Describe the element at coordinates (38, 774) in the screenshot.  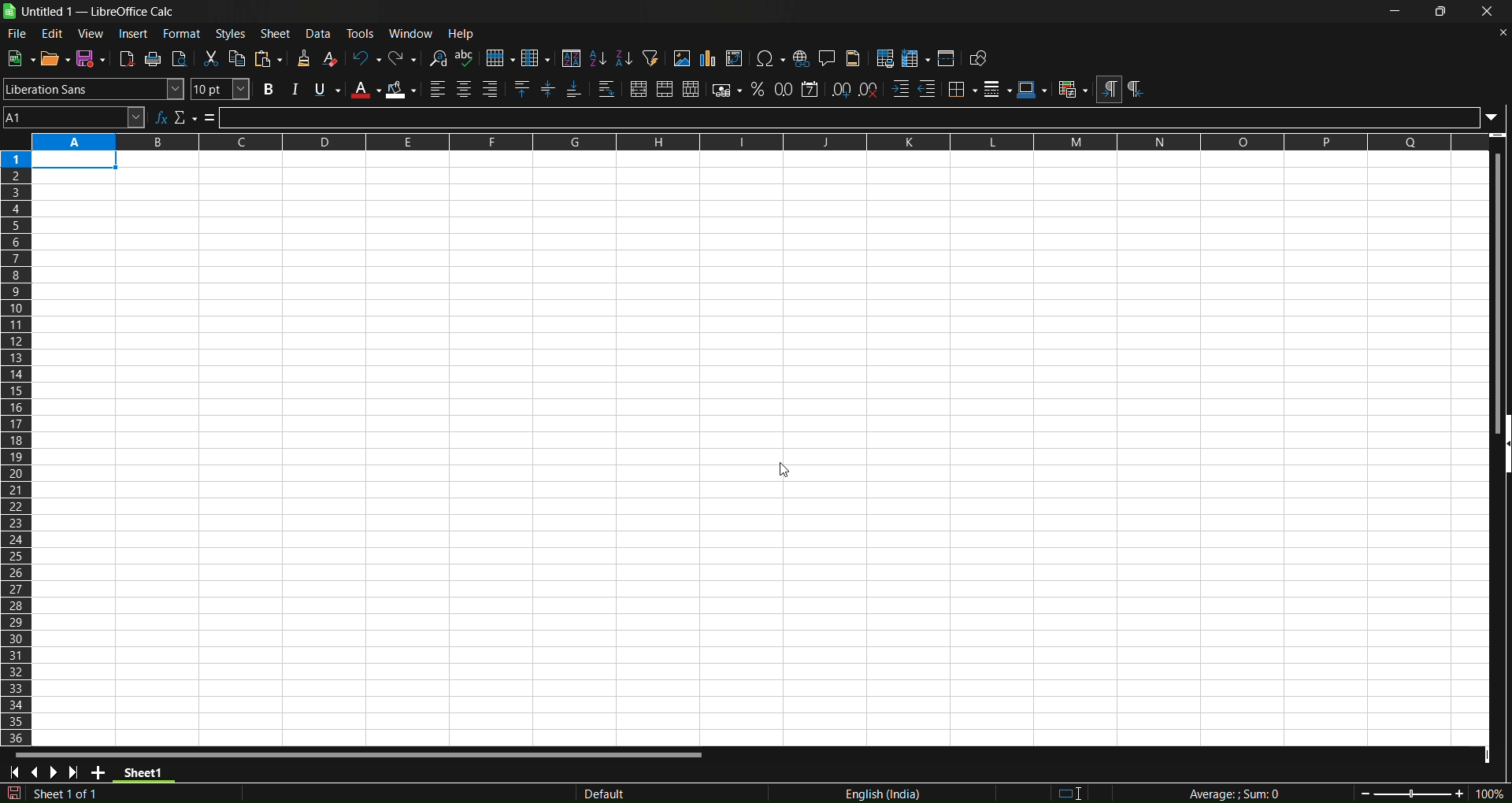
I see `scroll to previous sheet` at that location.